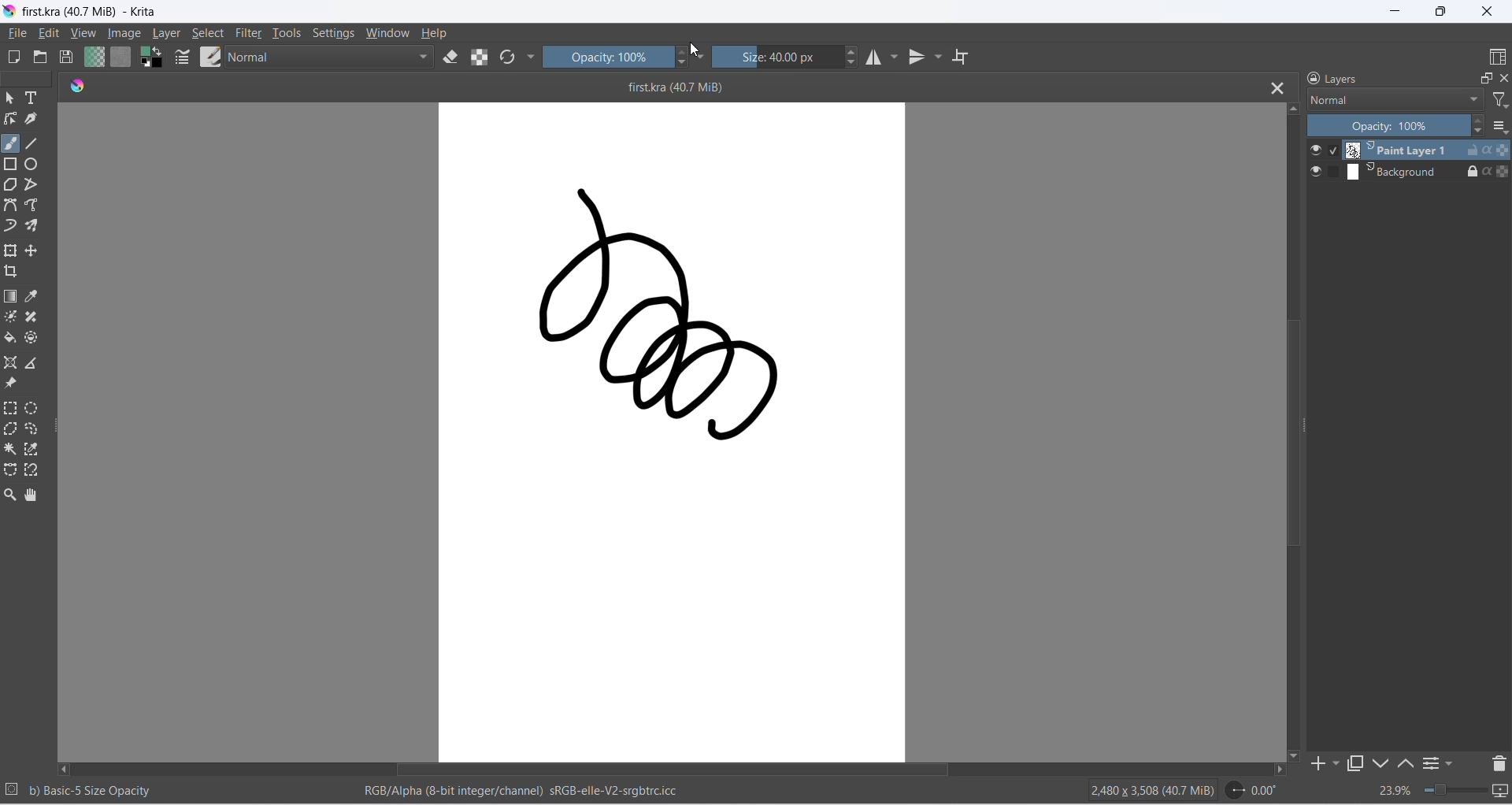 This screenshot has height=805, width=1512. I want to click on scroll up button, so click(1293, 108).